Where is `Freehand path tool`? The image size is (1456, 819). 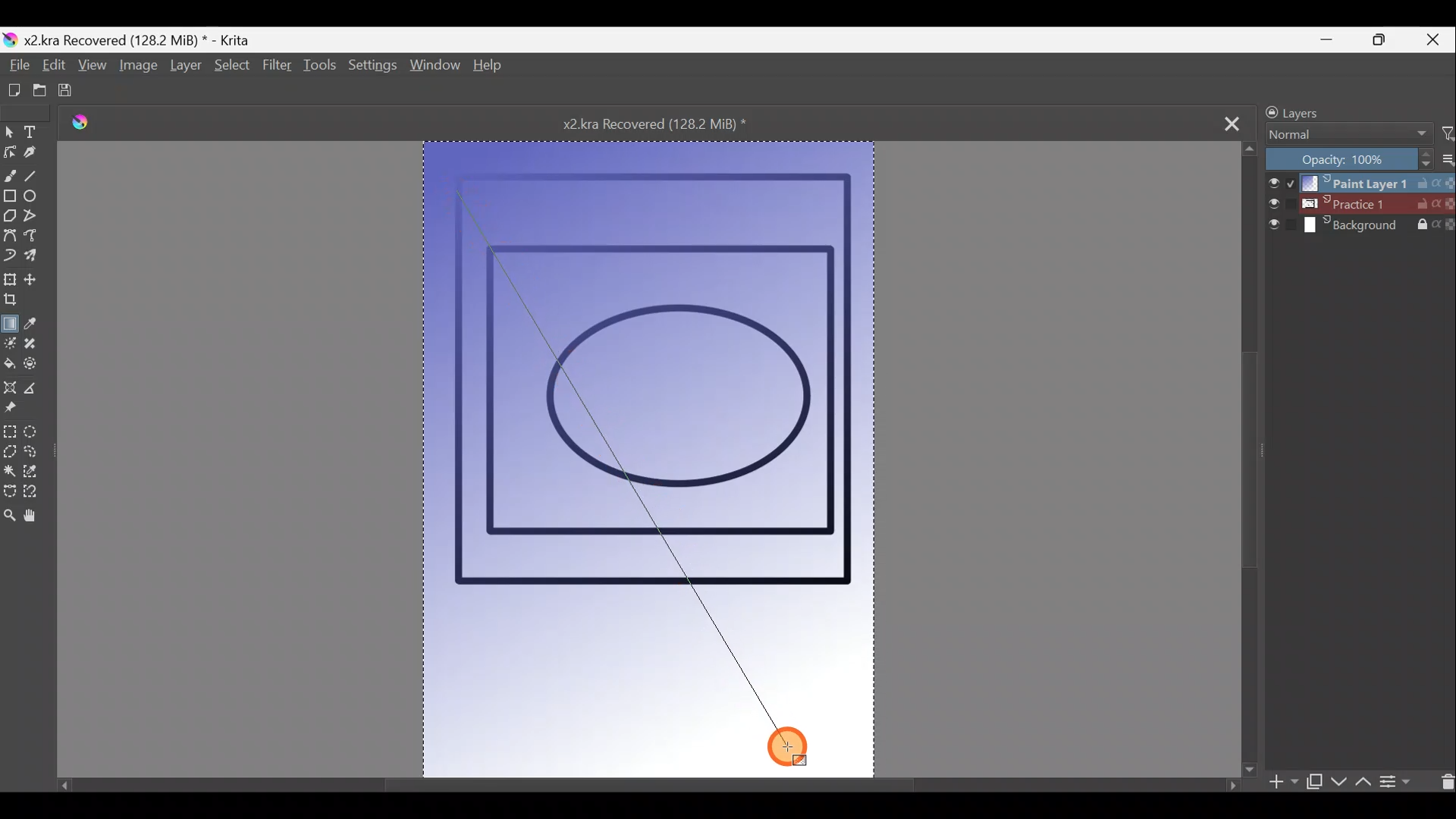 Freehand path tool is located at coordinates (36, 240).